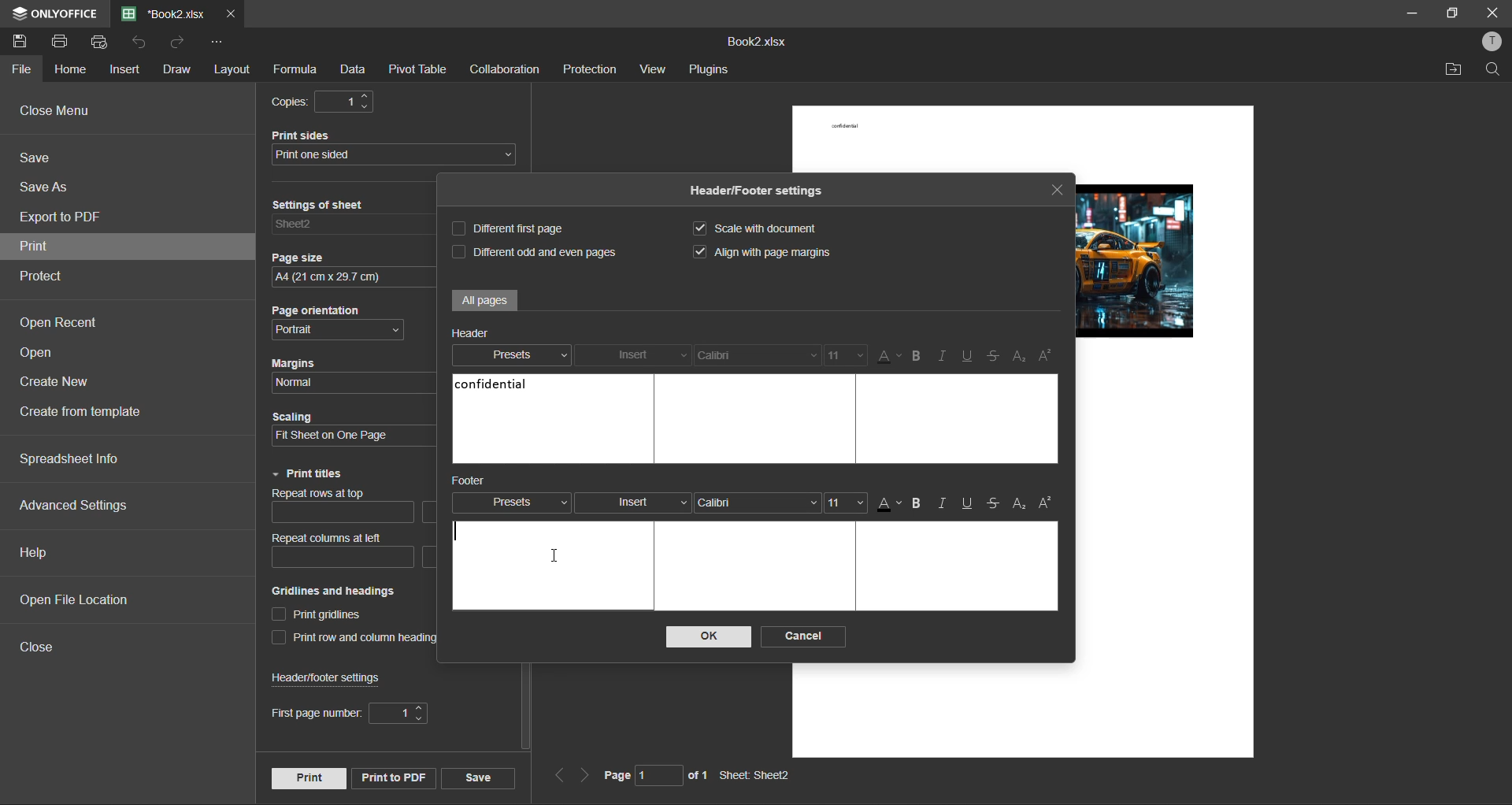  I want to click on presets, so click(514, 502).